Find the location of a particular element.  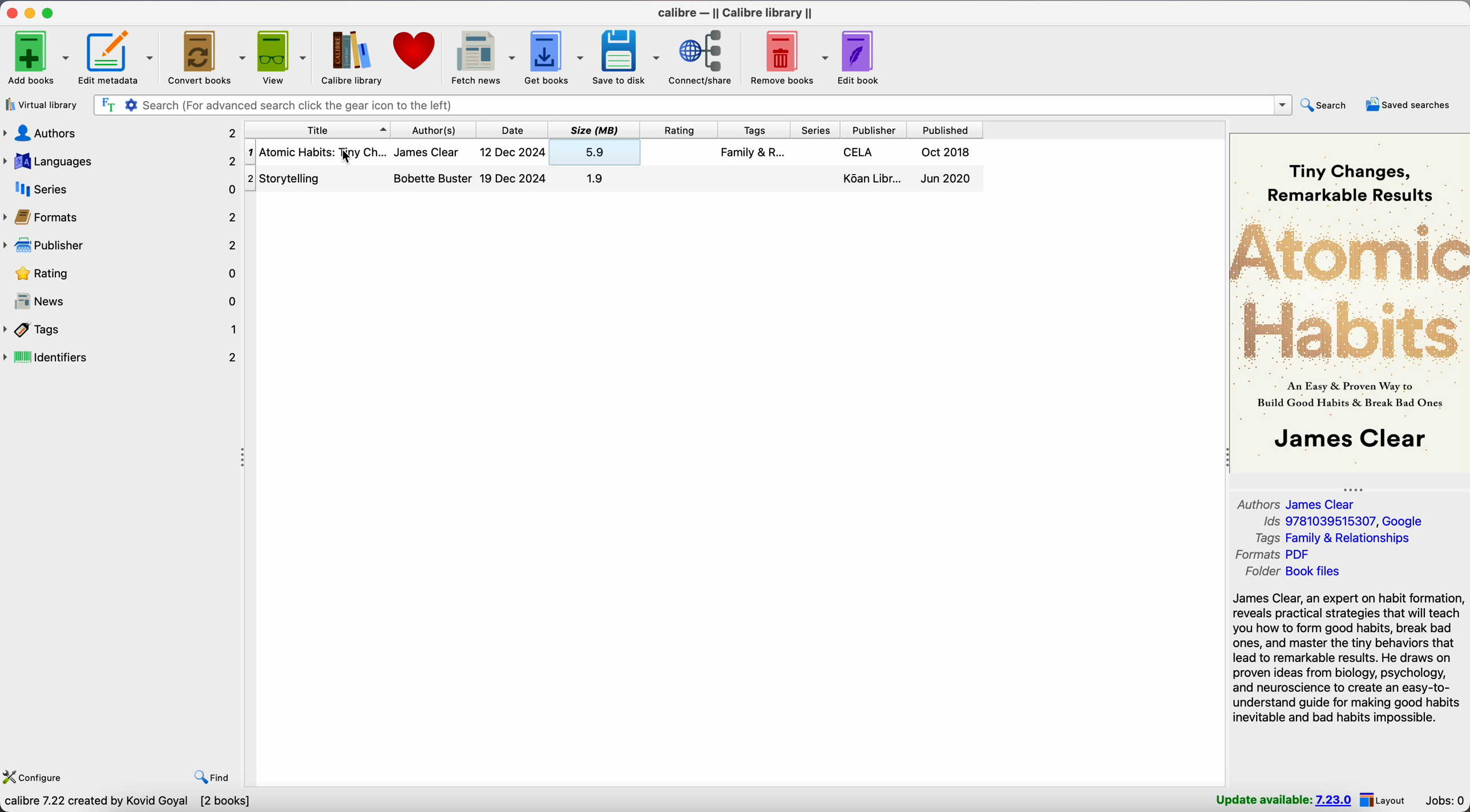

close Calibre is located at coordinates (10, 11).